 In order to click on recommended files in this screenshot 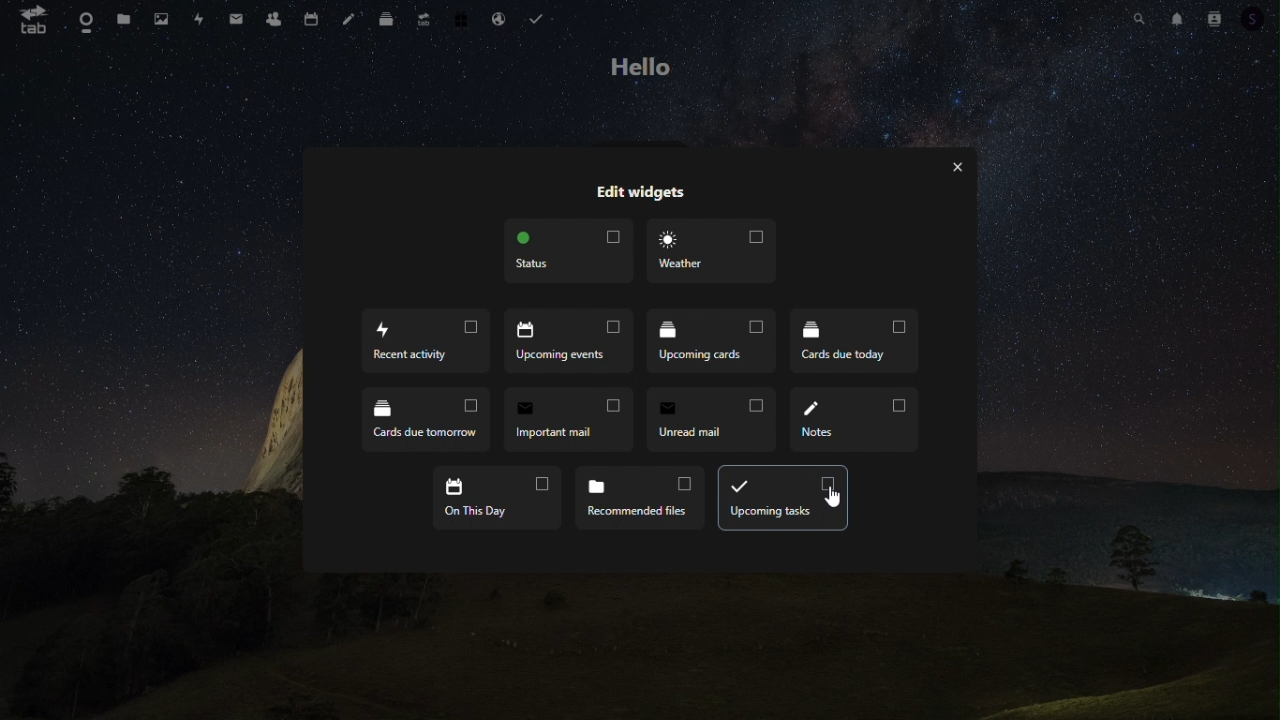, I will do `click(638, 497)`.